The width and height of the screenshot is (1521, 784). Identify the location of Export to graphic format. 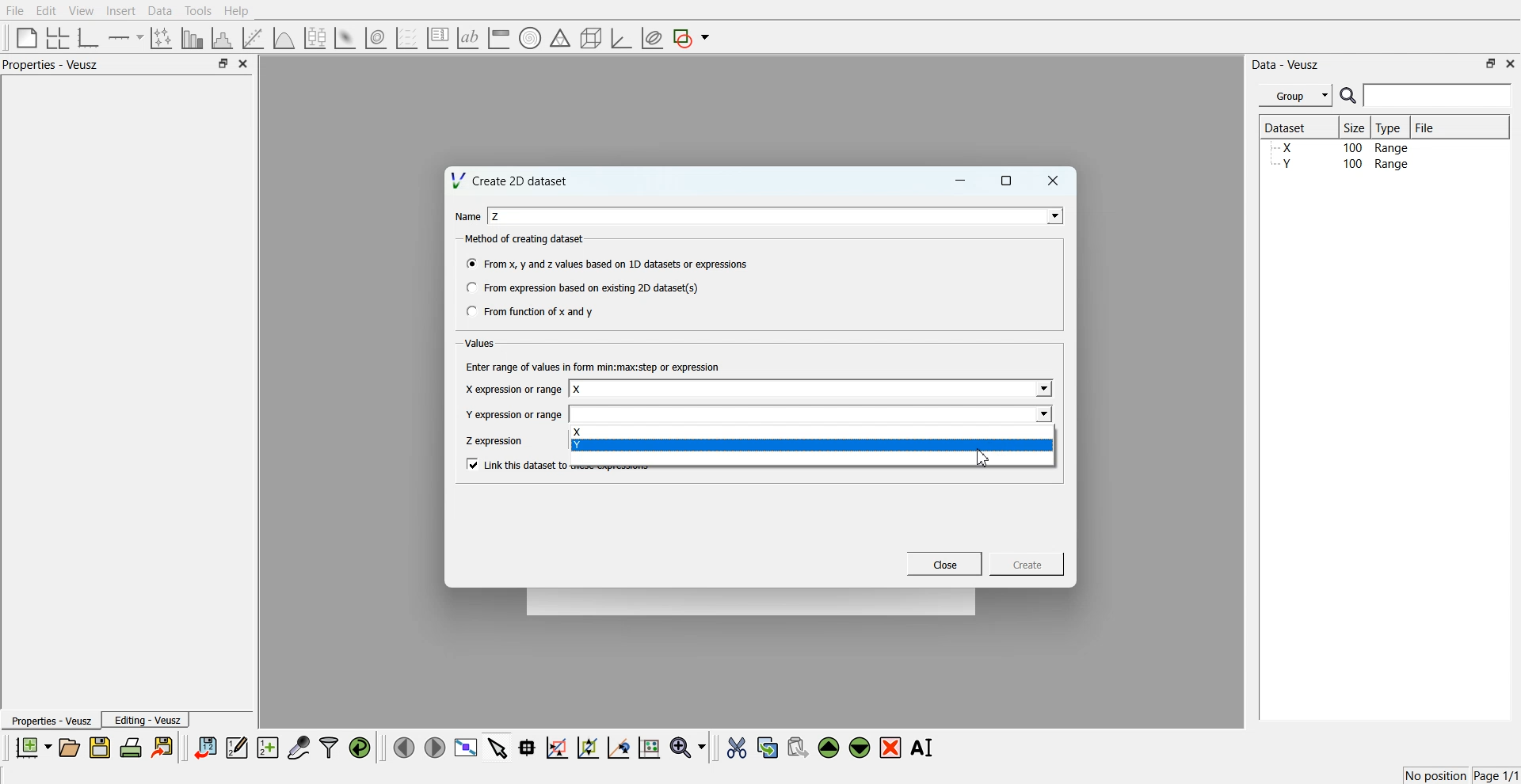
(164, 747).